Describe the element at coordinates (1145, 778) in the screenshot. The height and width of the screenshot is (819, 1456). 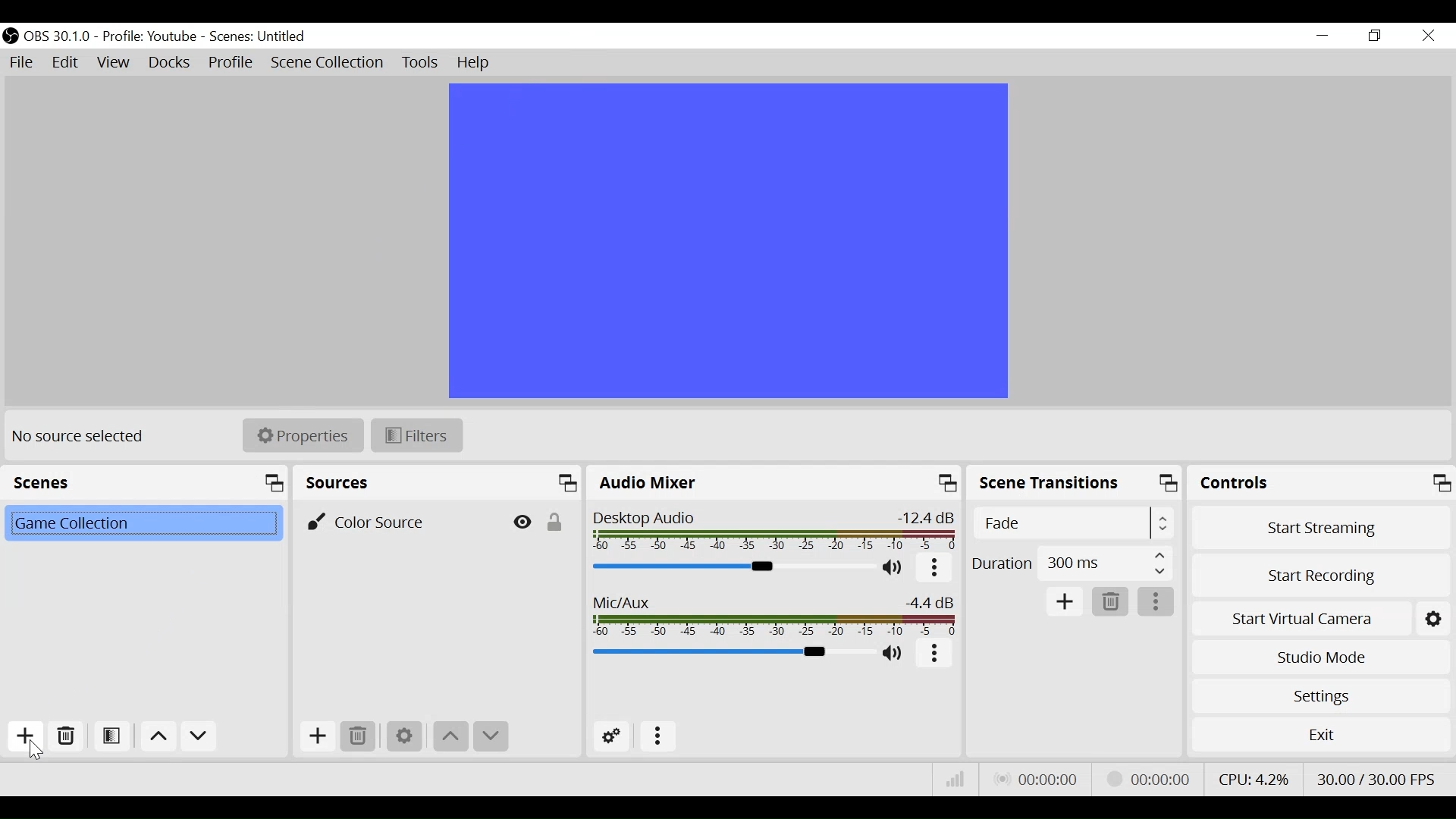
I see `Streaming Status` at that location.